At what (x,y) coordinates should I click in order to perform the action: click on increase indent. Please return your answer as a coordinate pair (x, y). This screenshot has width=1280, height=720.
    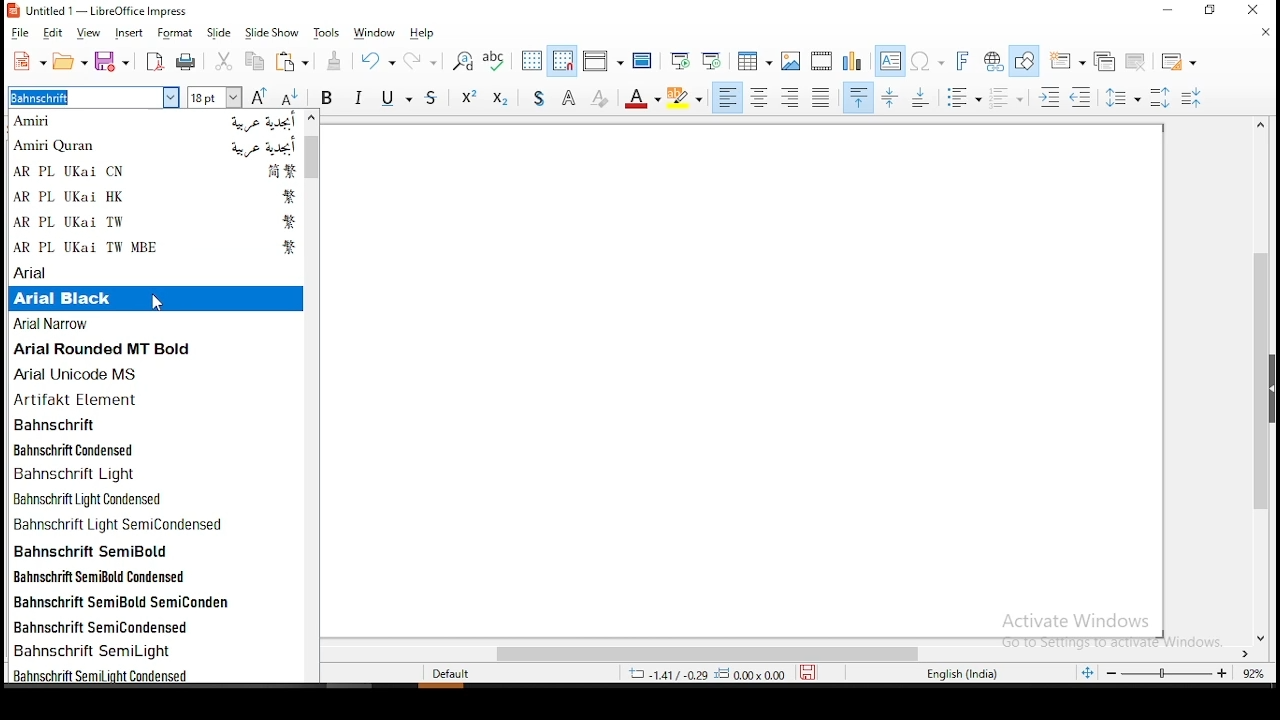
    Looking at the image, I should click on (1051, 96).